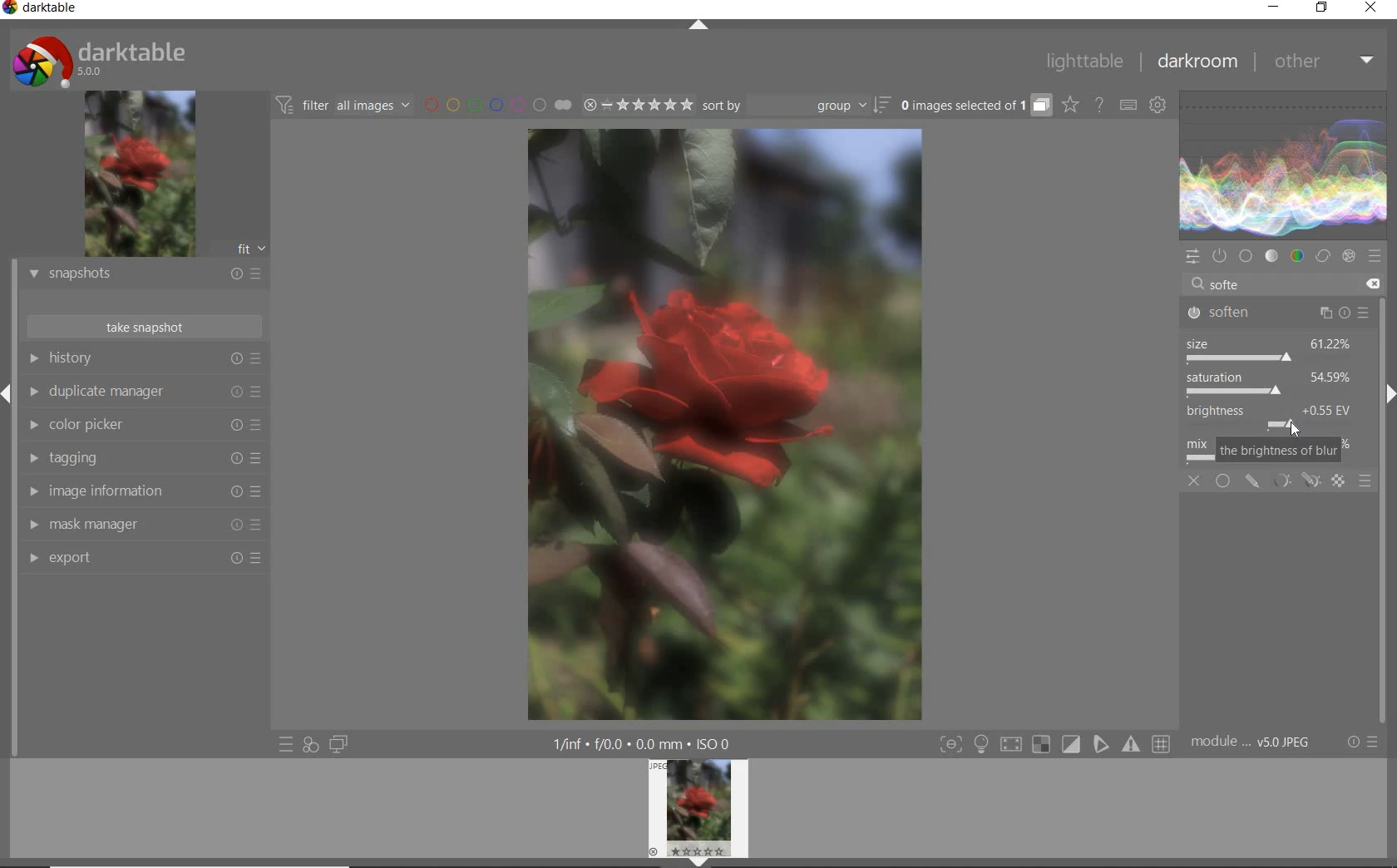 The image size is (1397, 868). Describe the element at coordinates (1223, 481) in the screenshot. I see `uniformly` at that location.